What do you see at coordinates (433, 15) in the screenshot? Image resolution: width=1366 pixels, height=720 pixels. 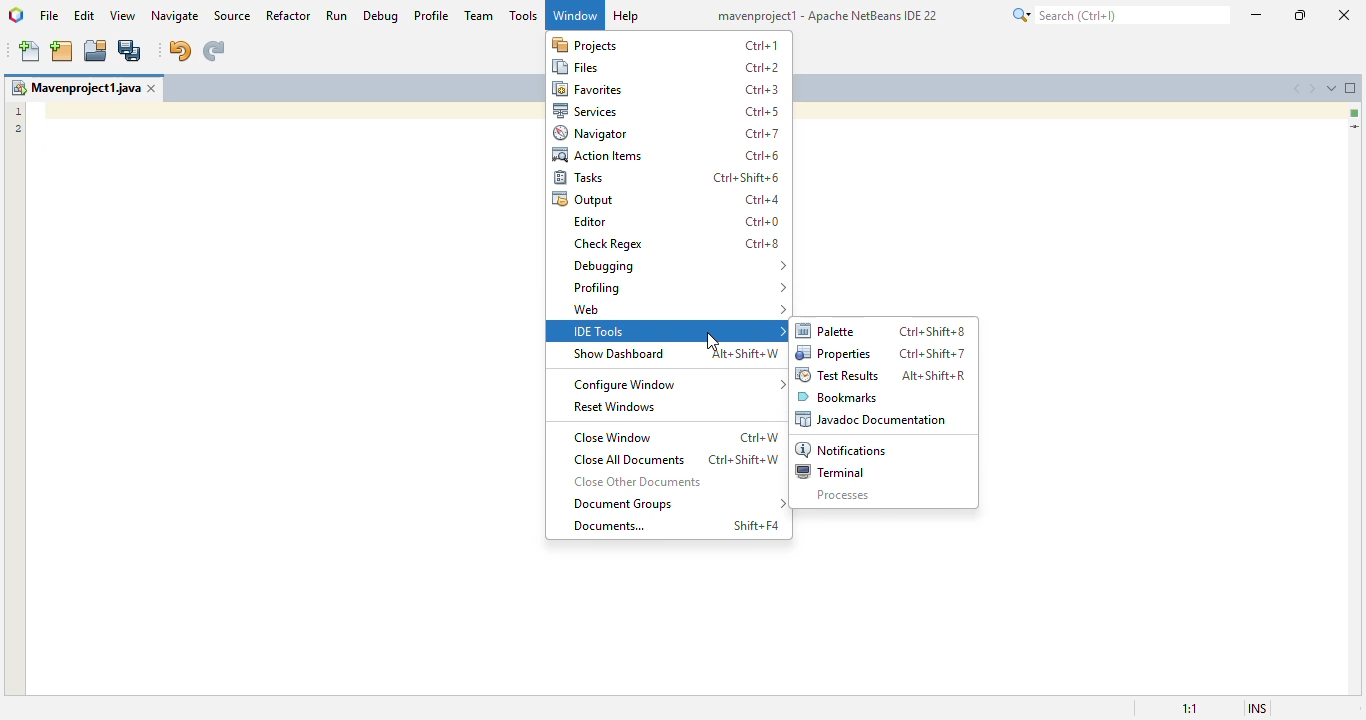 I see `profile` at bounding box center [433, 15].